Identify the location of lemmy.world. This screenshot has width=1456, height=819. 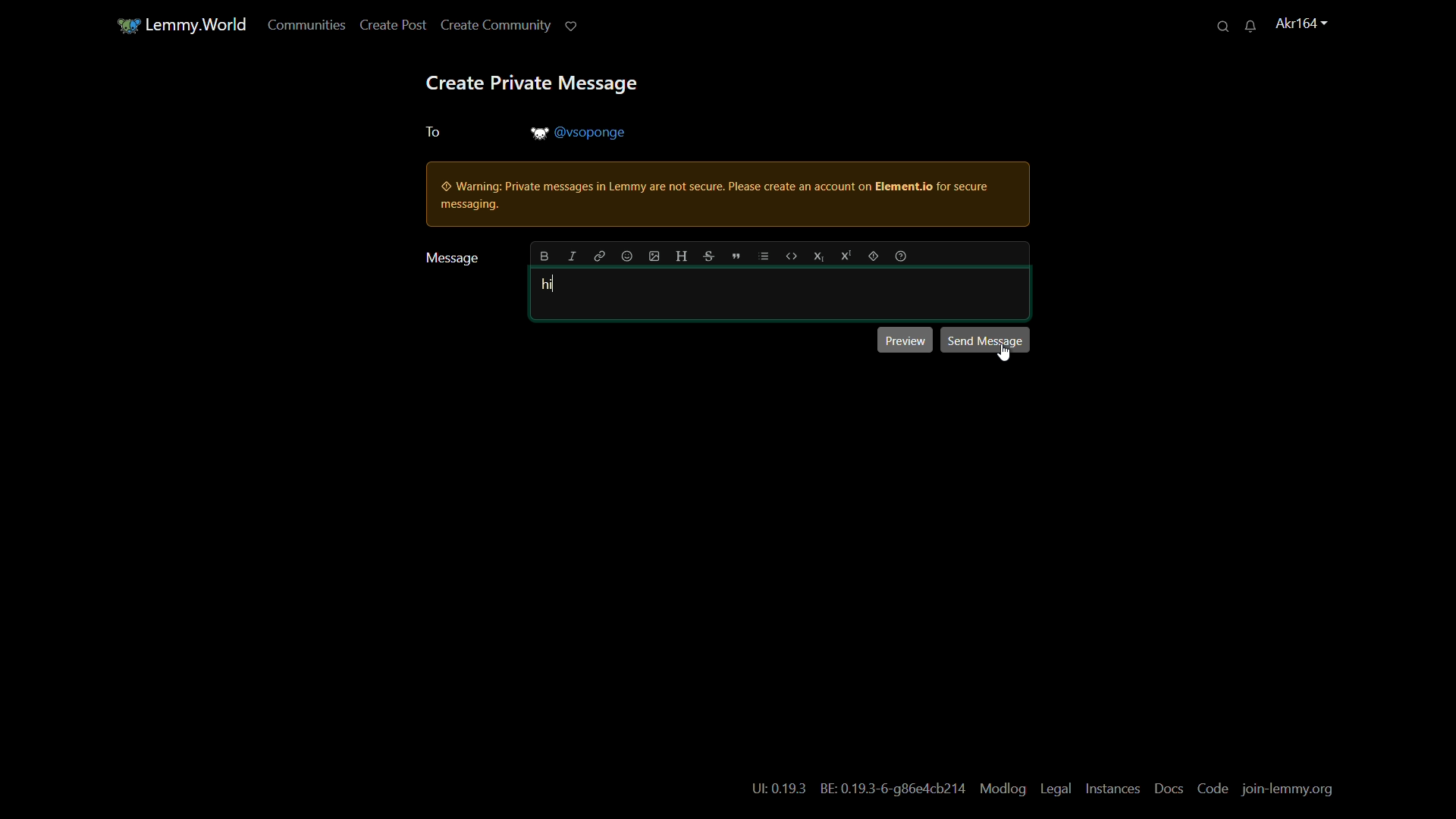
(188, 24).